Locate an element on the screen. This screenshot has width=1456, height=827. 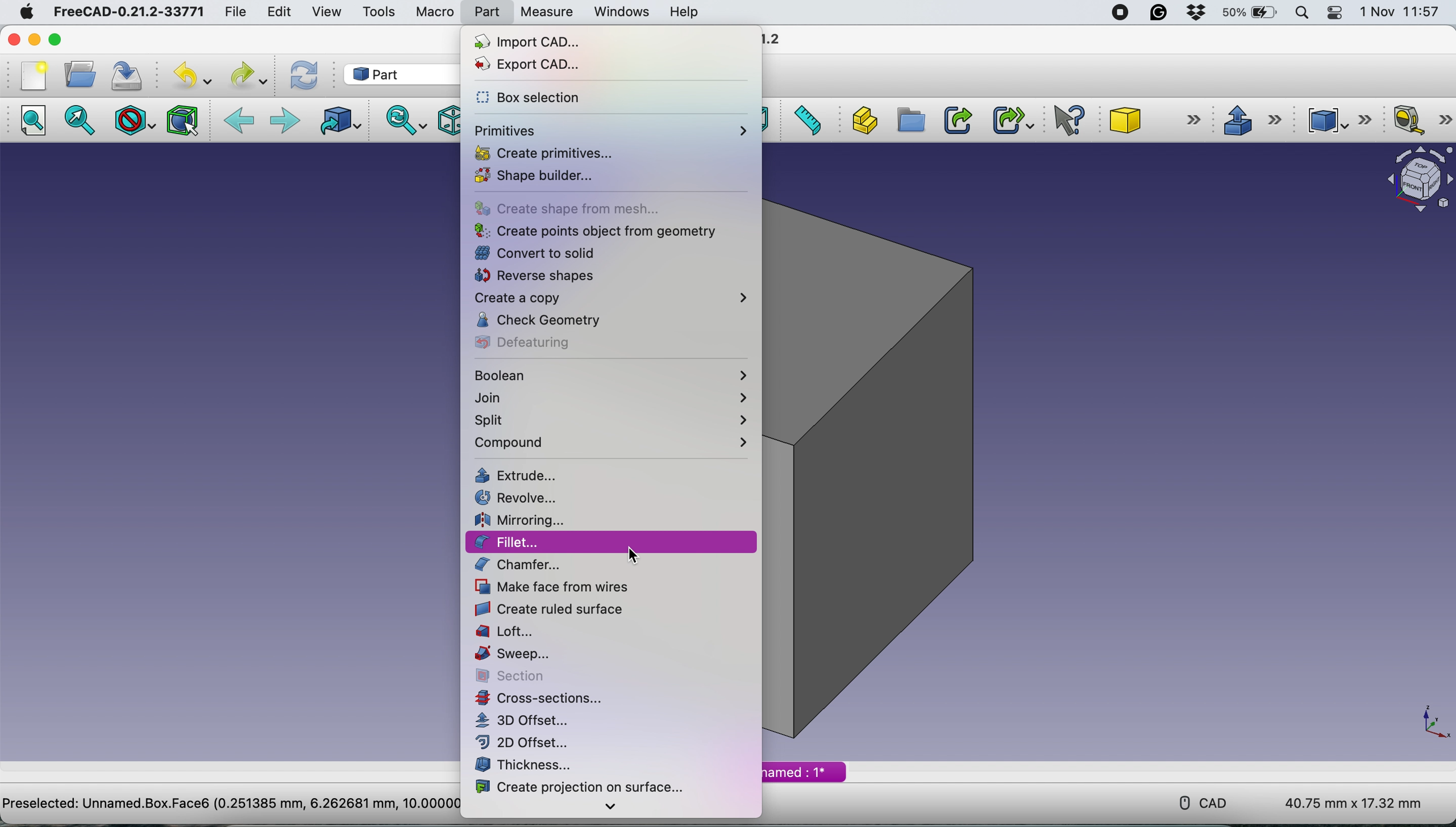
create primitives is located at coordinates (550, 152).